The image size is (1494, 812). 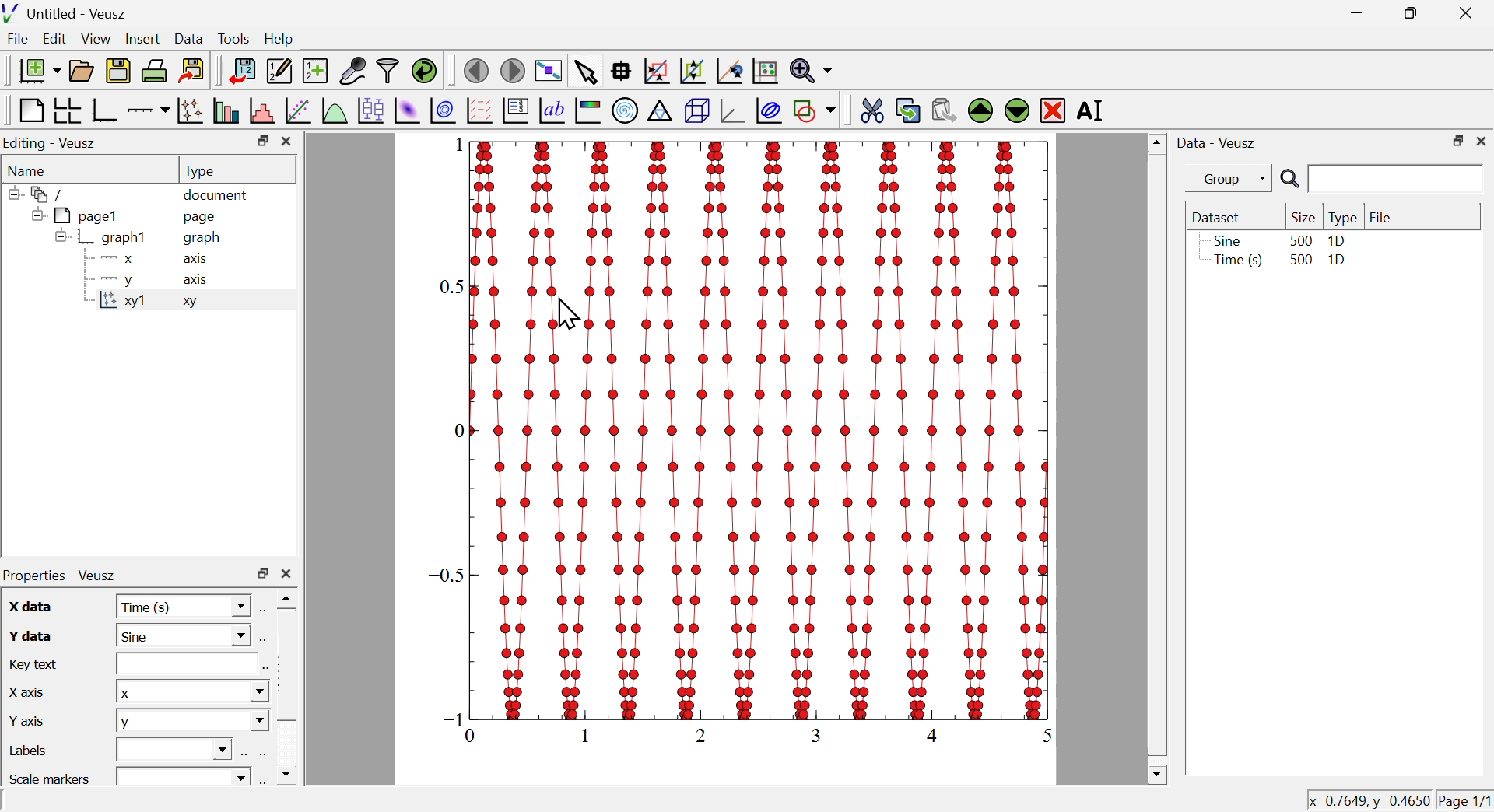 What do you see at coordinates (1096, 111) in the screenshot?
I see `rename the selected widget` at bounding box center [1096, 111].